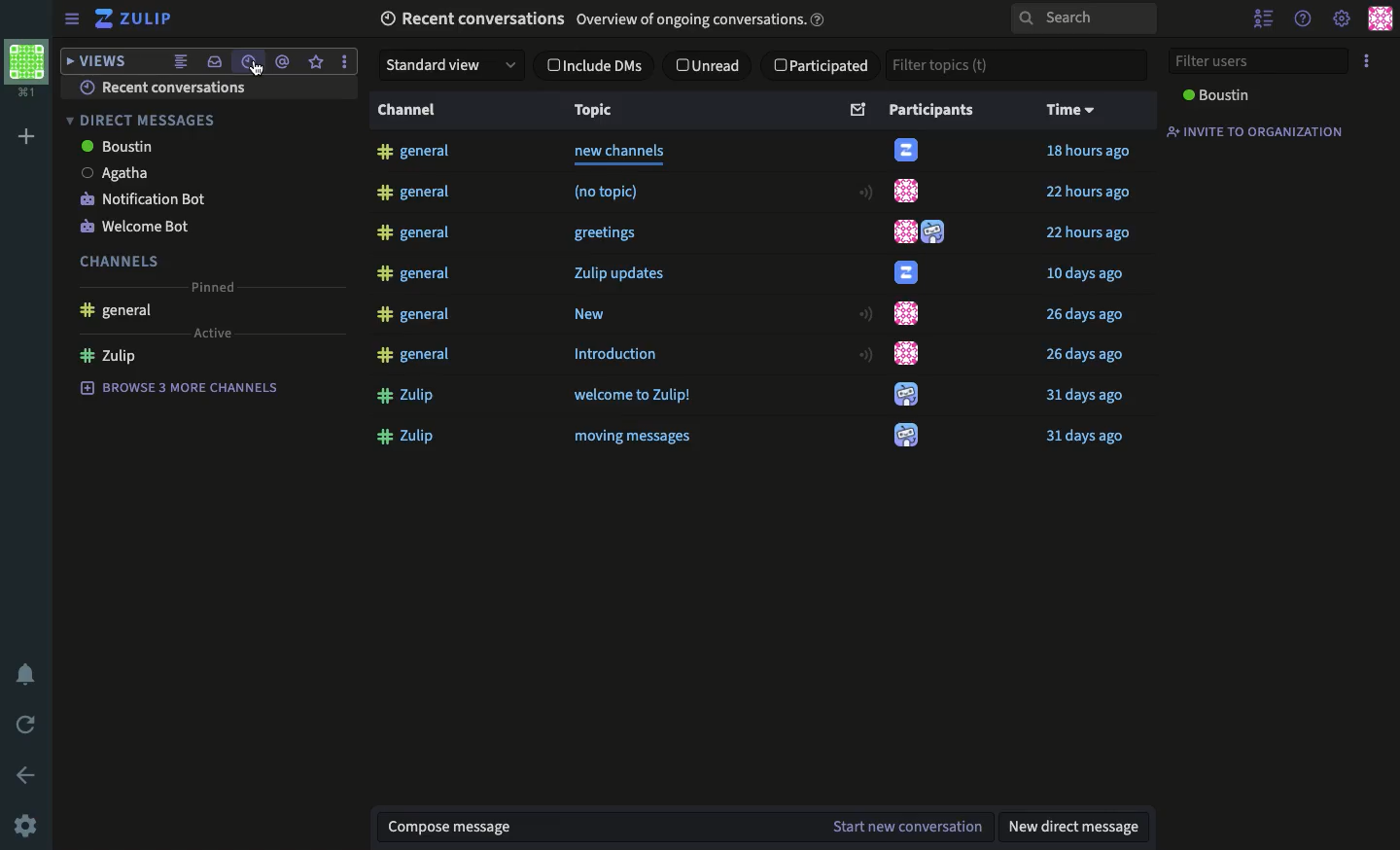 Image resolution: width=1400 pixels, height=850 pixels. I want to click on sidebar, so click(73, 18).